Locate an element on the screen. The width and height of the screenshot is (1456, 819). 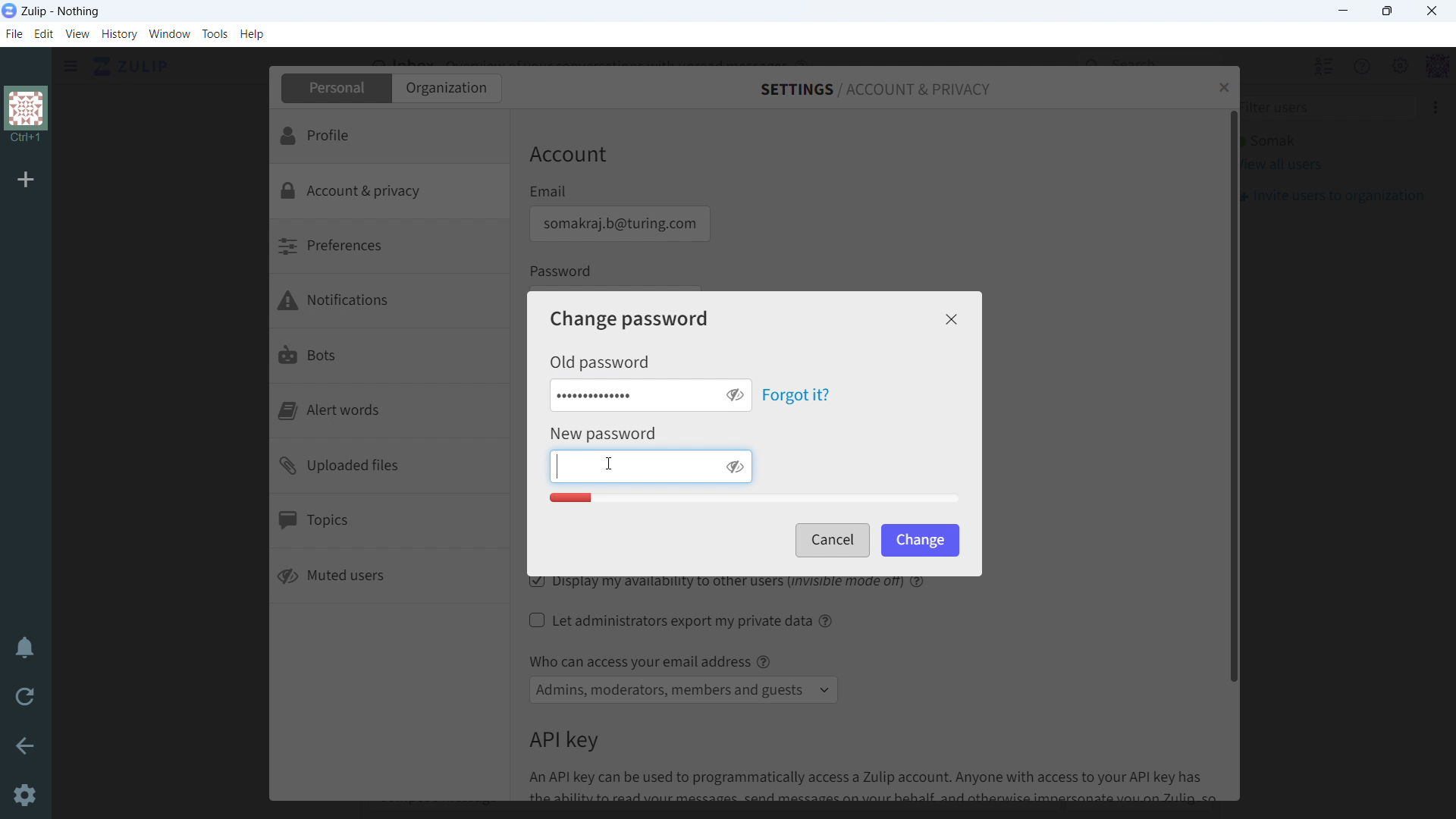
go back is located at coordinates (26, 744).